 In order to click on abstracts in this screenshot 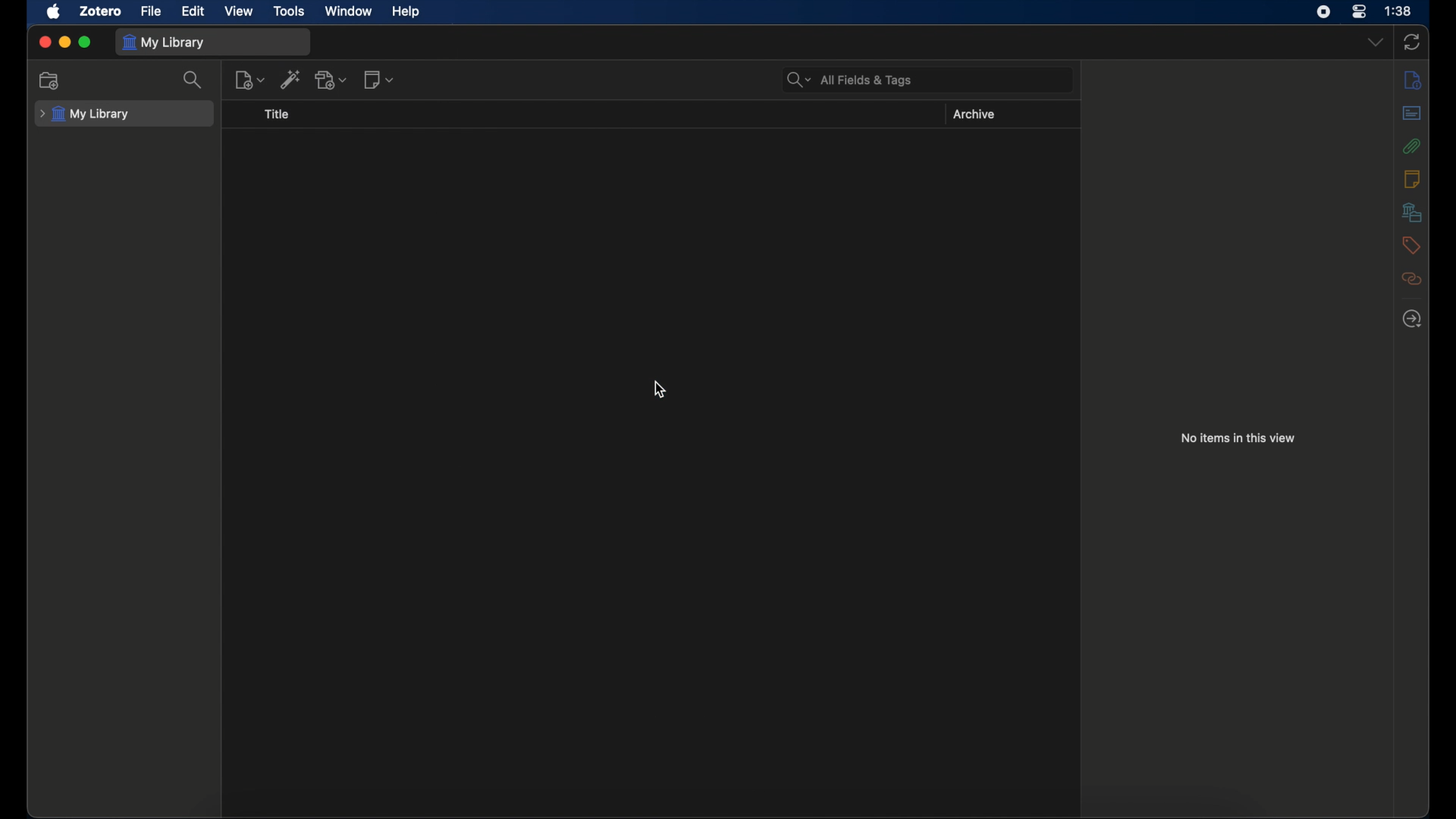, I will do `click(1411, 112)`.